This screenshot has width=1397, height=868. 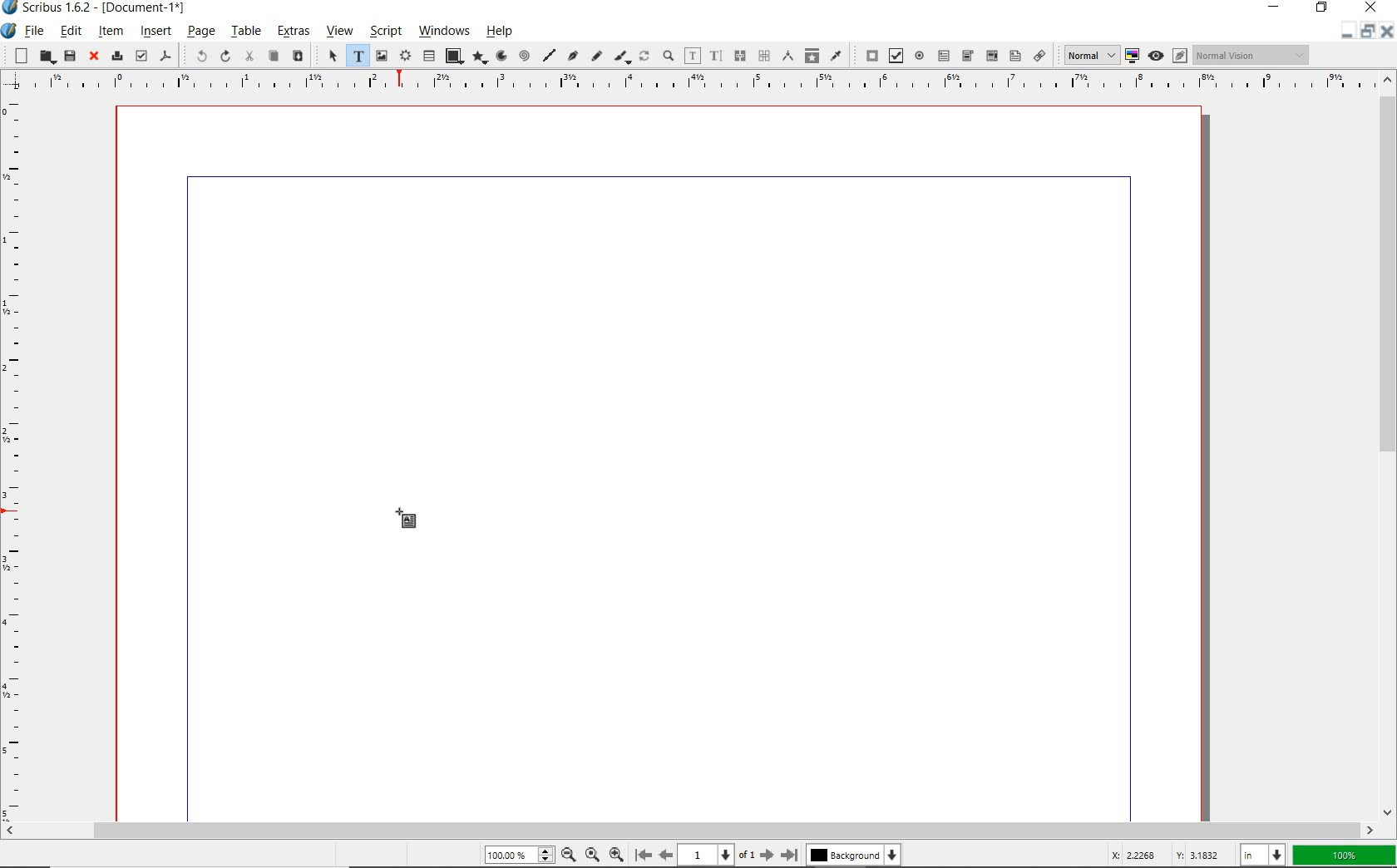 What do you see at coordinates (453, 57) in the screenshot?
I see `shape` at bounding box center [453, 57].